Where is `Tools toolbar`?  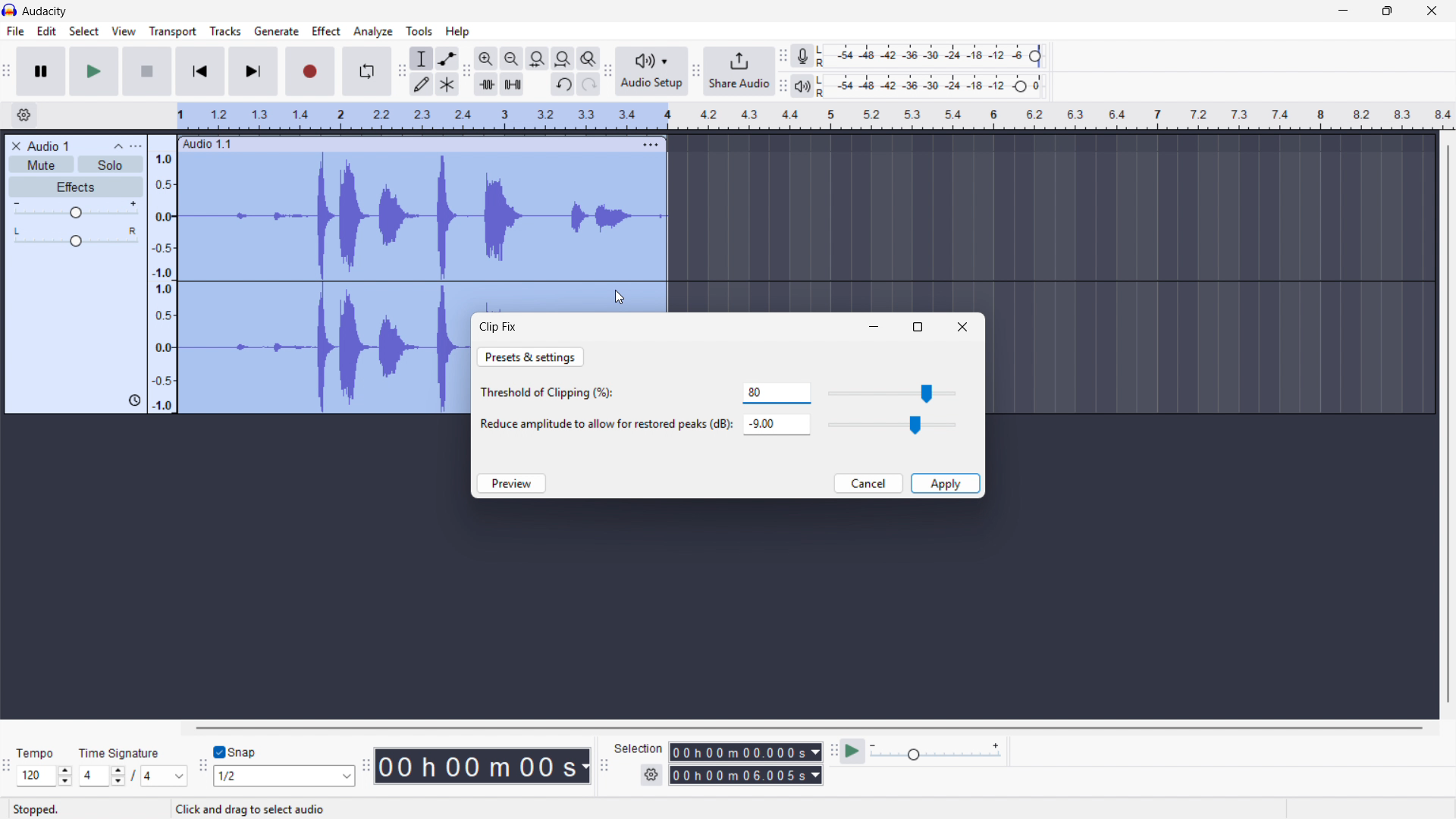
Tools toolbar is located at coordinates (402, 71).